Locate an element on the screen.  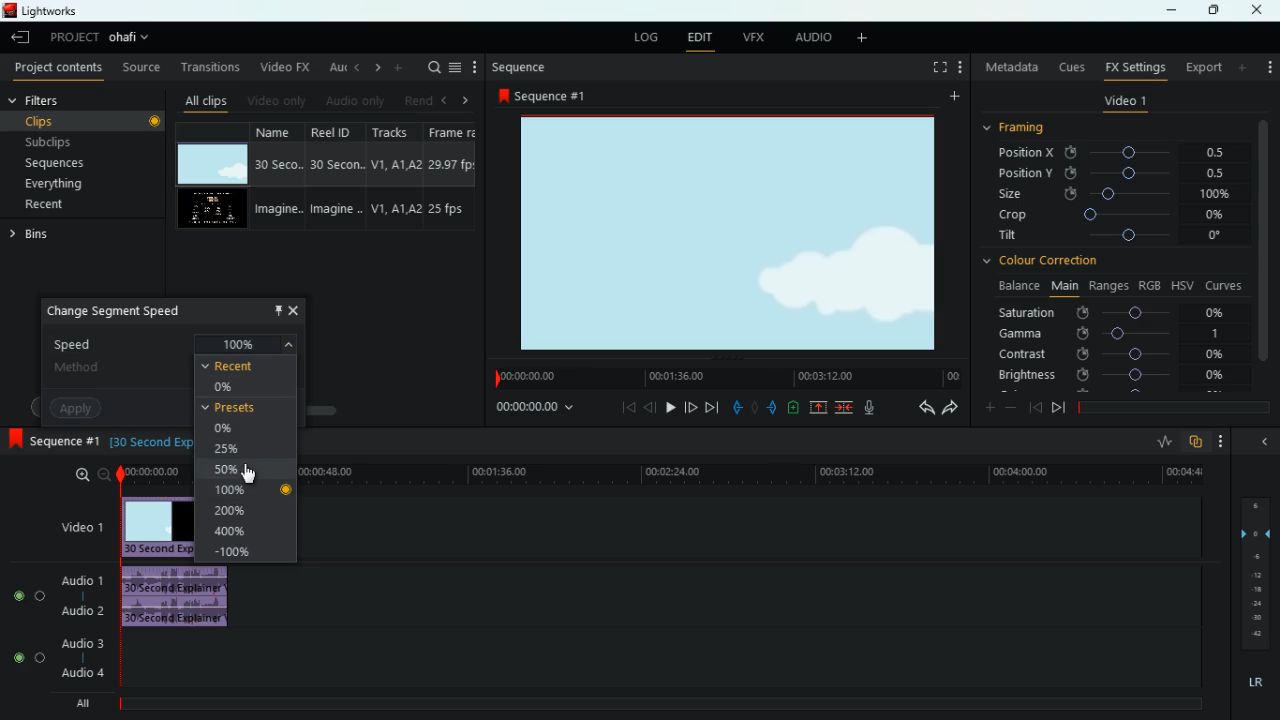
image is located at coordinates (727, 232).